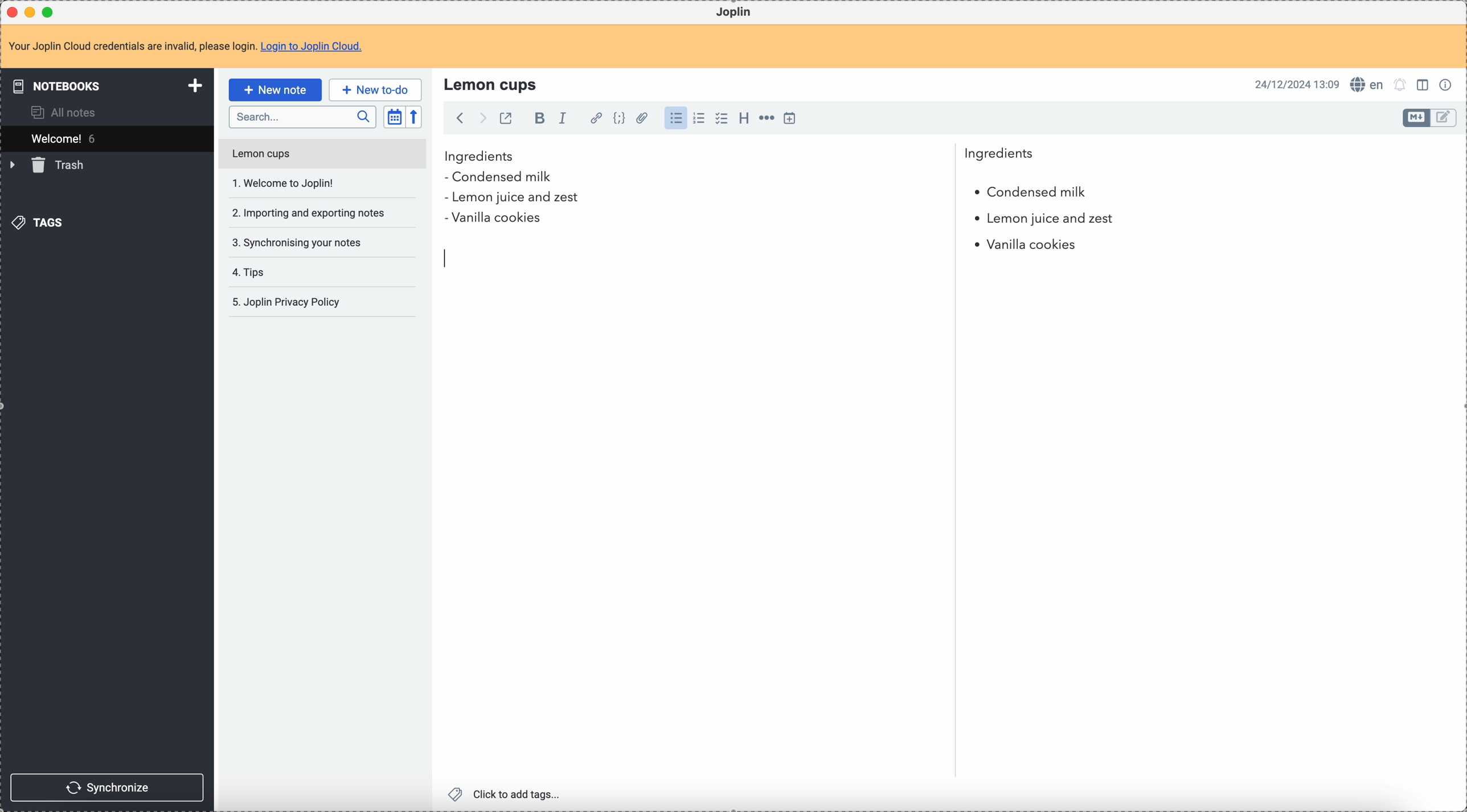 The height and width of the screenshot is (812, 1467). I want to click on lemon cups, so click(493, 84).